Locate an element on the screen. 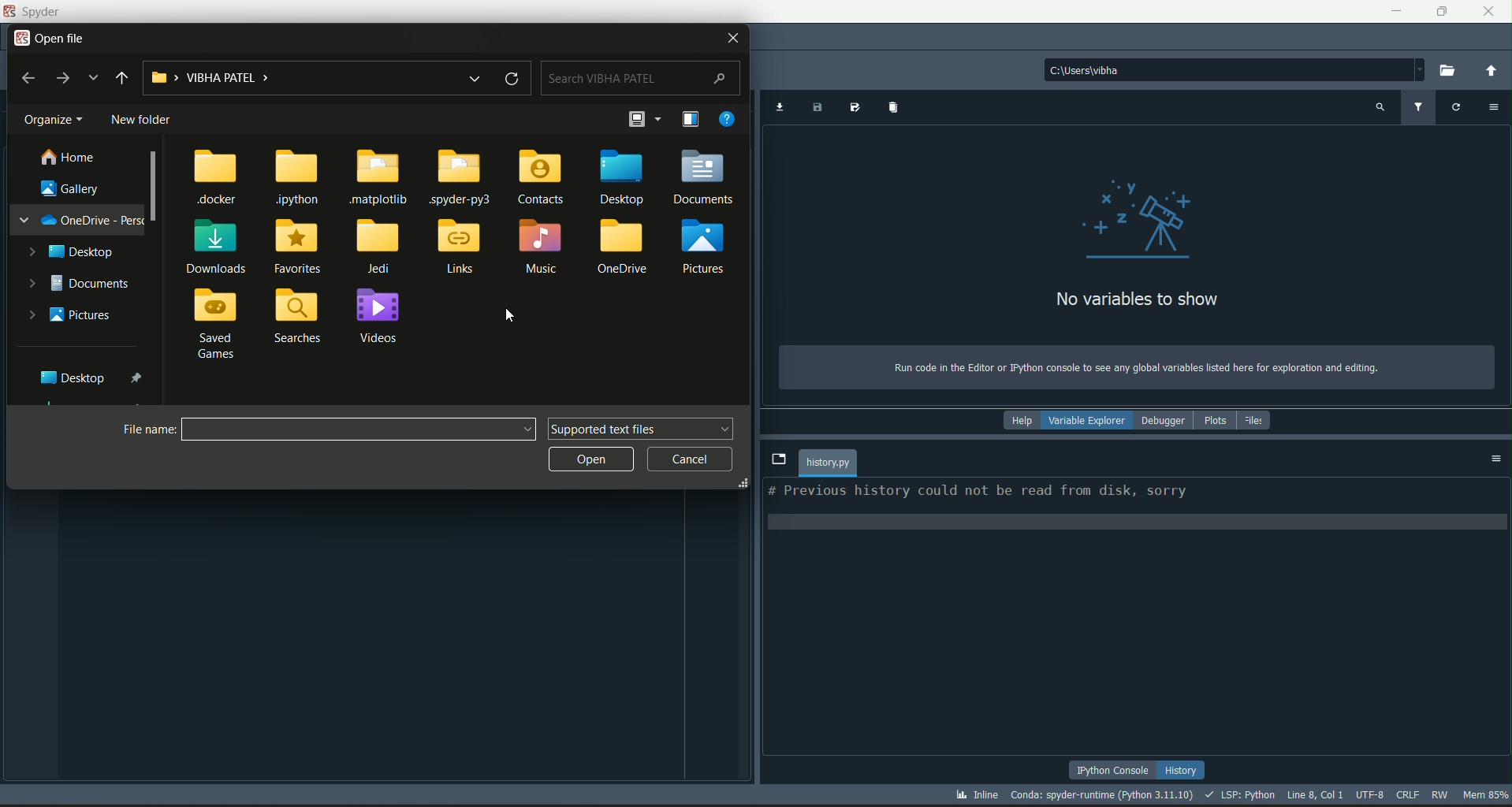 The height and width of the screenshot is (807, 1512). .docker is located at coordinates (218, 179).